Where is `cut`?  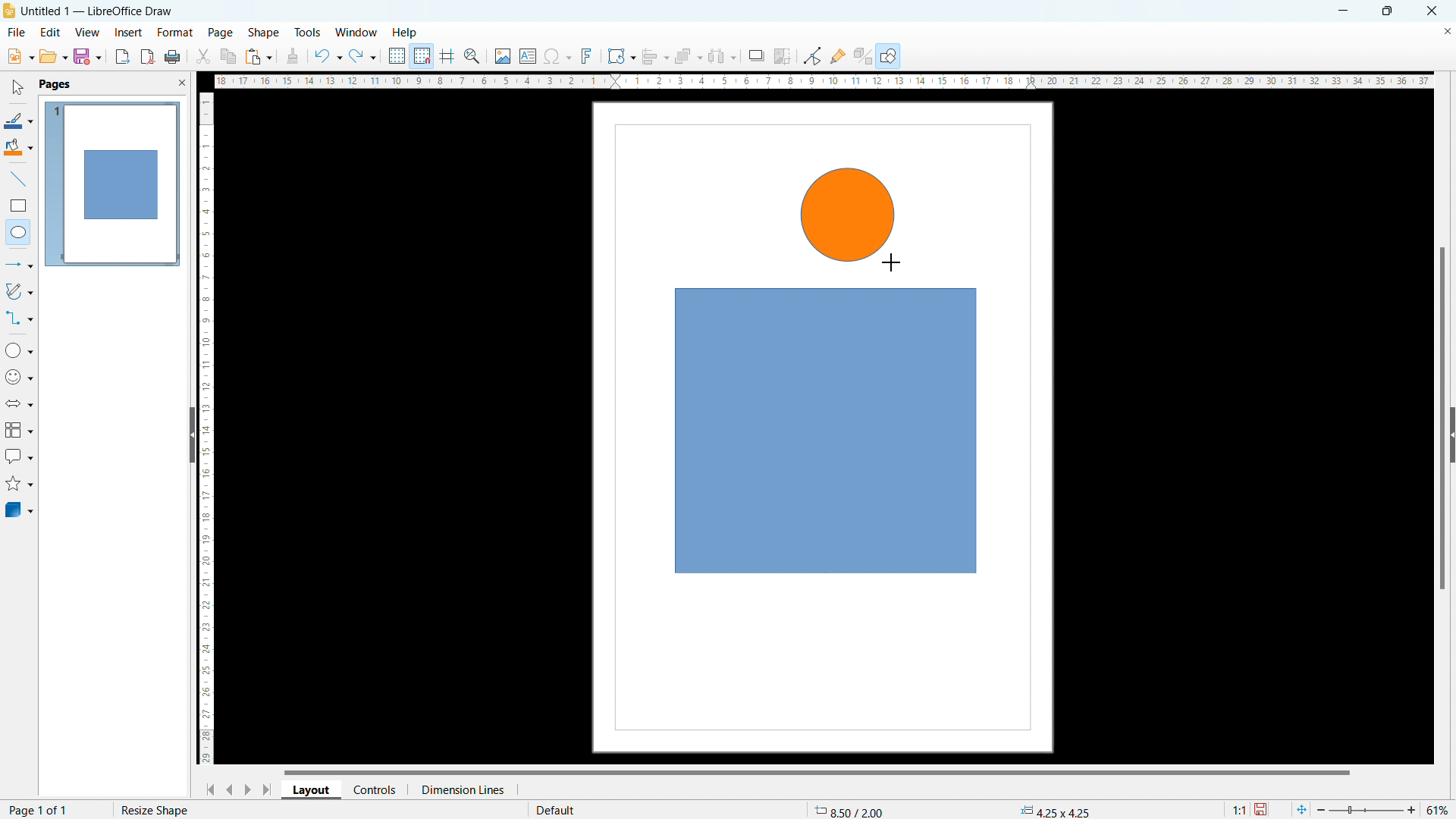 cut is located at coordinates (204, 56).